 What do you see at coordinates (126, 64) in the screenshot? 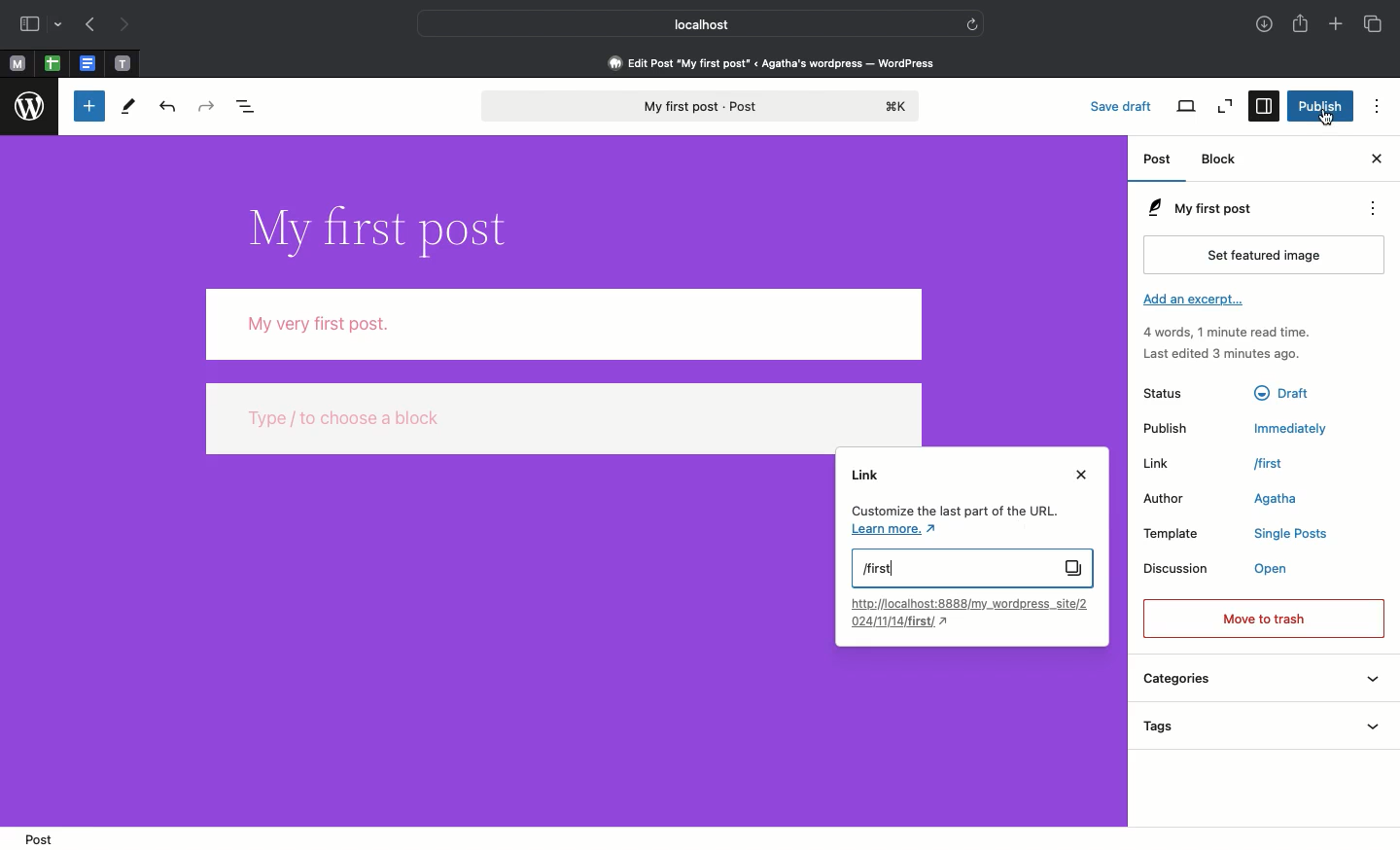
I see `pinned tabs` at bounding box center [126, 64].